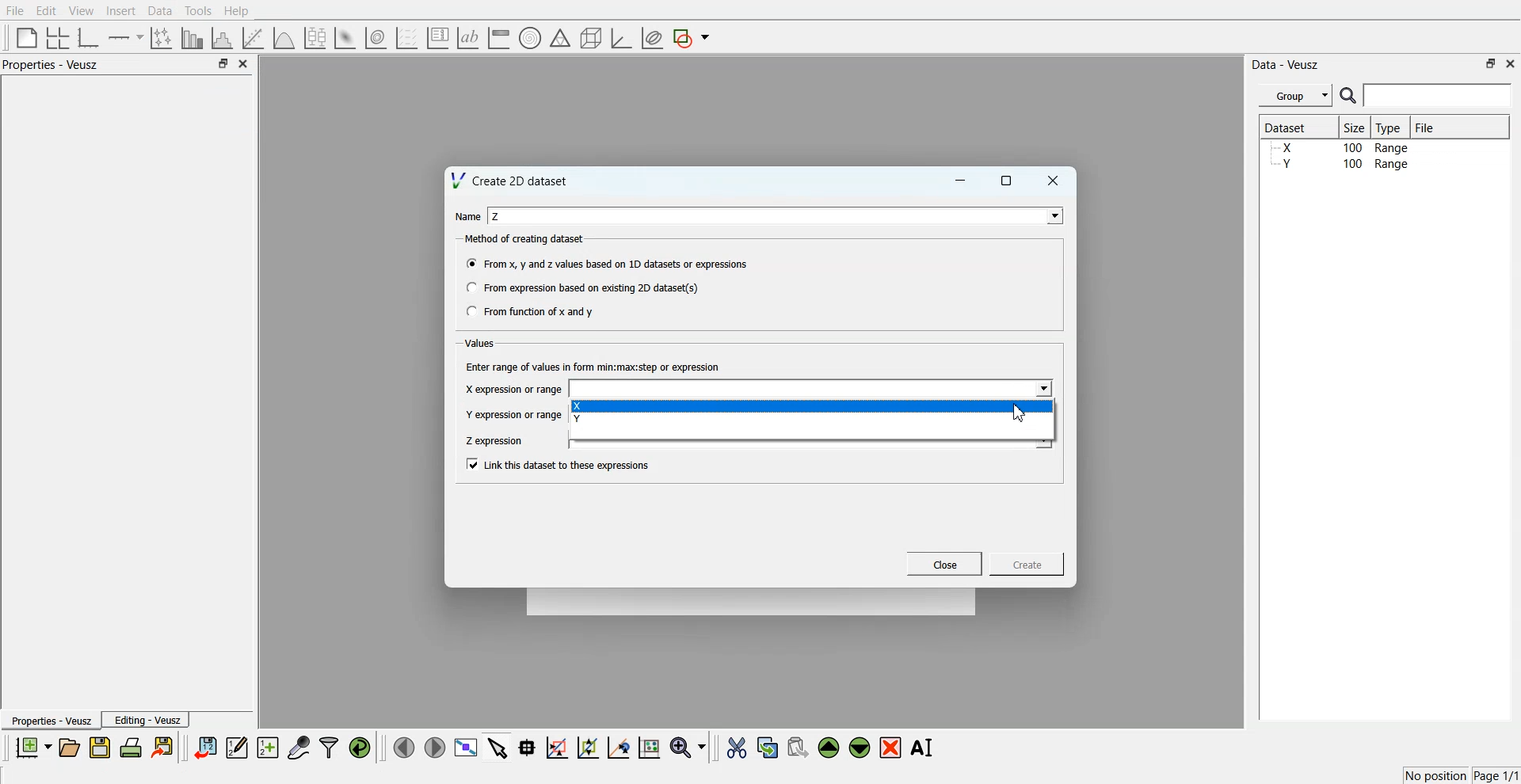 This screenshot has height=784, width=1521. Describe the element at coordinates (437, 38) in the screenshot. I see `Plot key` at that location.